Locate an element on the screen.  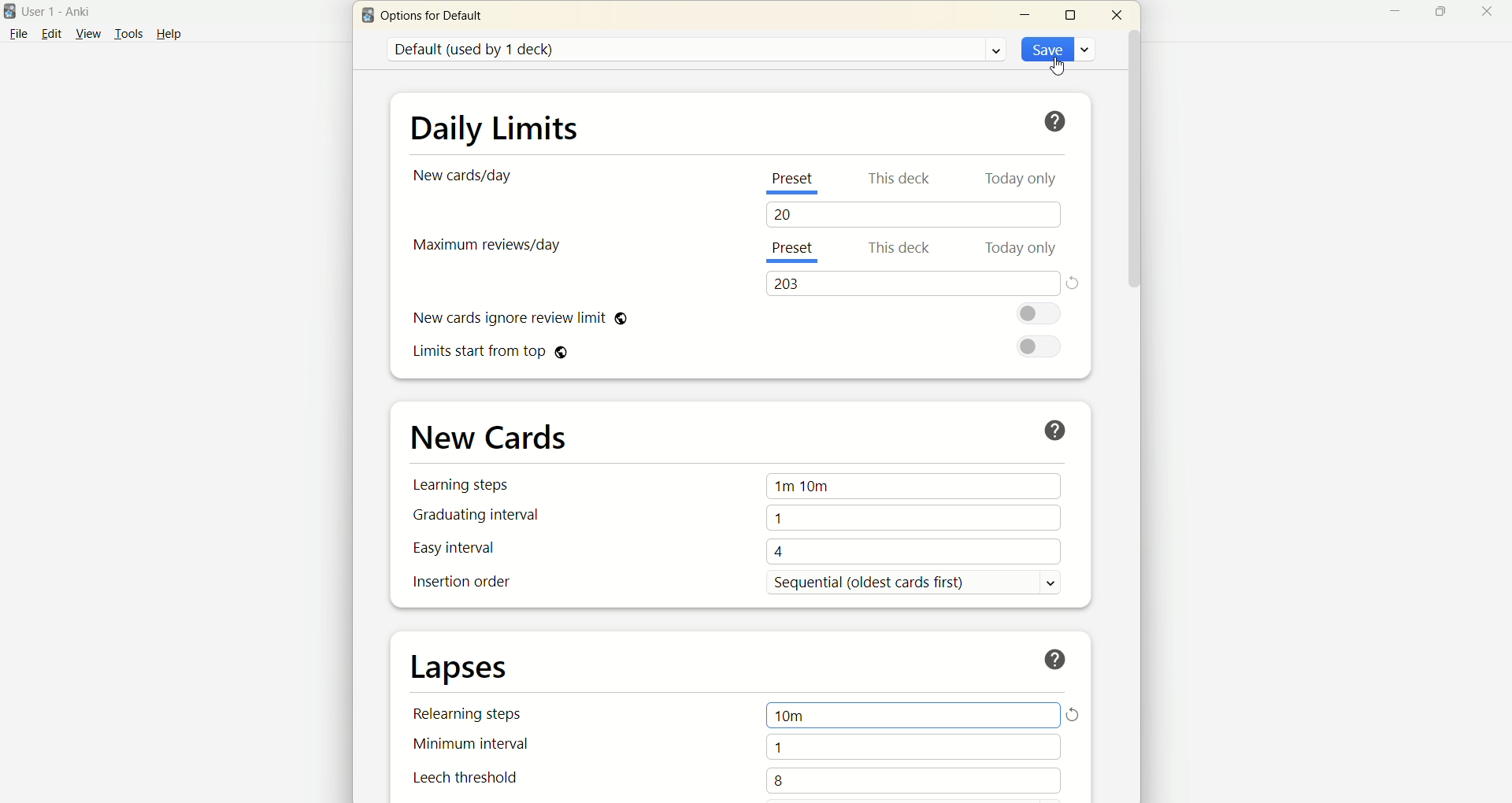
new cards/day is located at coordinates (467, 176).